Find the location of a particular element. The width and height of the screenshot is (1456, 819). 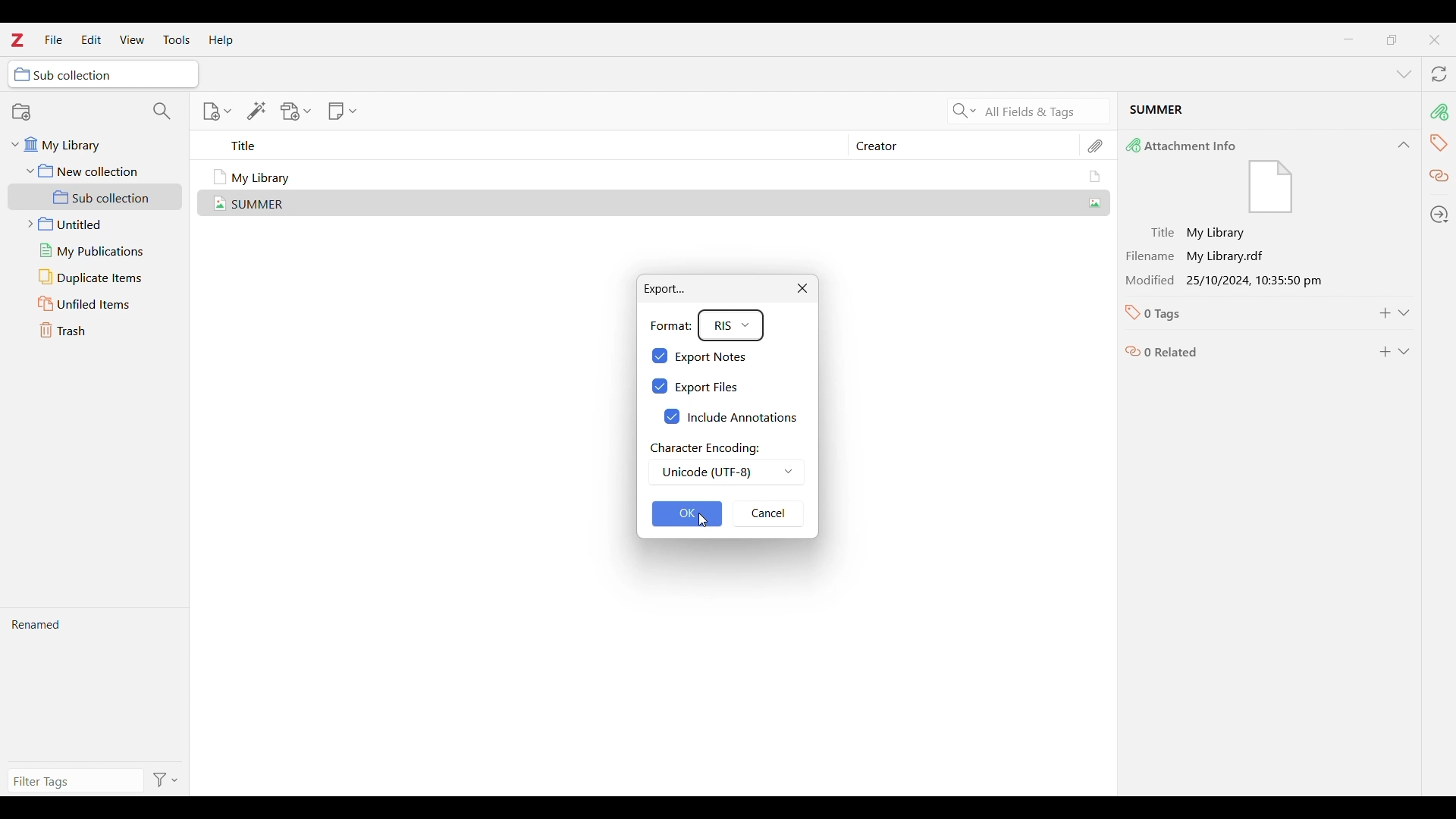

Renamed is located at coordinates (94, 685).